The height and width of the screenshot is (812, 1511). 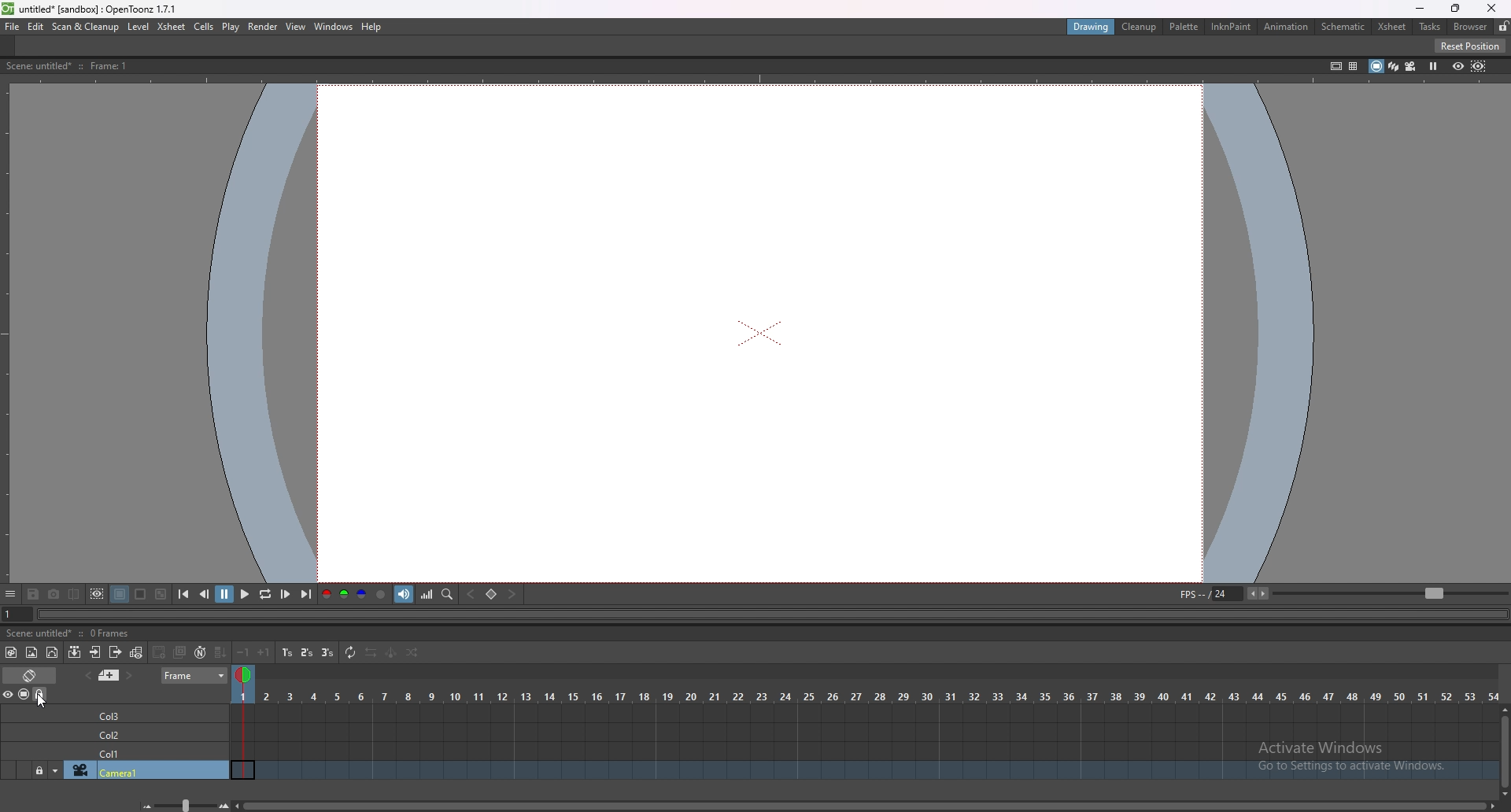 What do you see at coordinates (96, 66) in the screenshot?
I see `description` at bounding box center [96, 66].